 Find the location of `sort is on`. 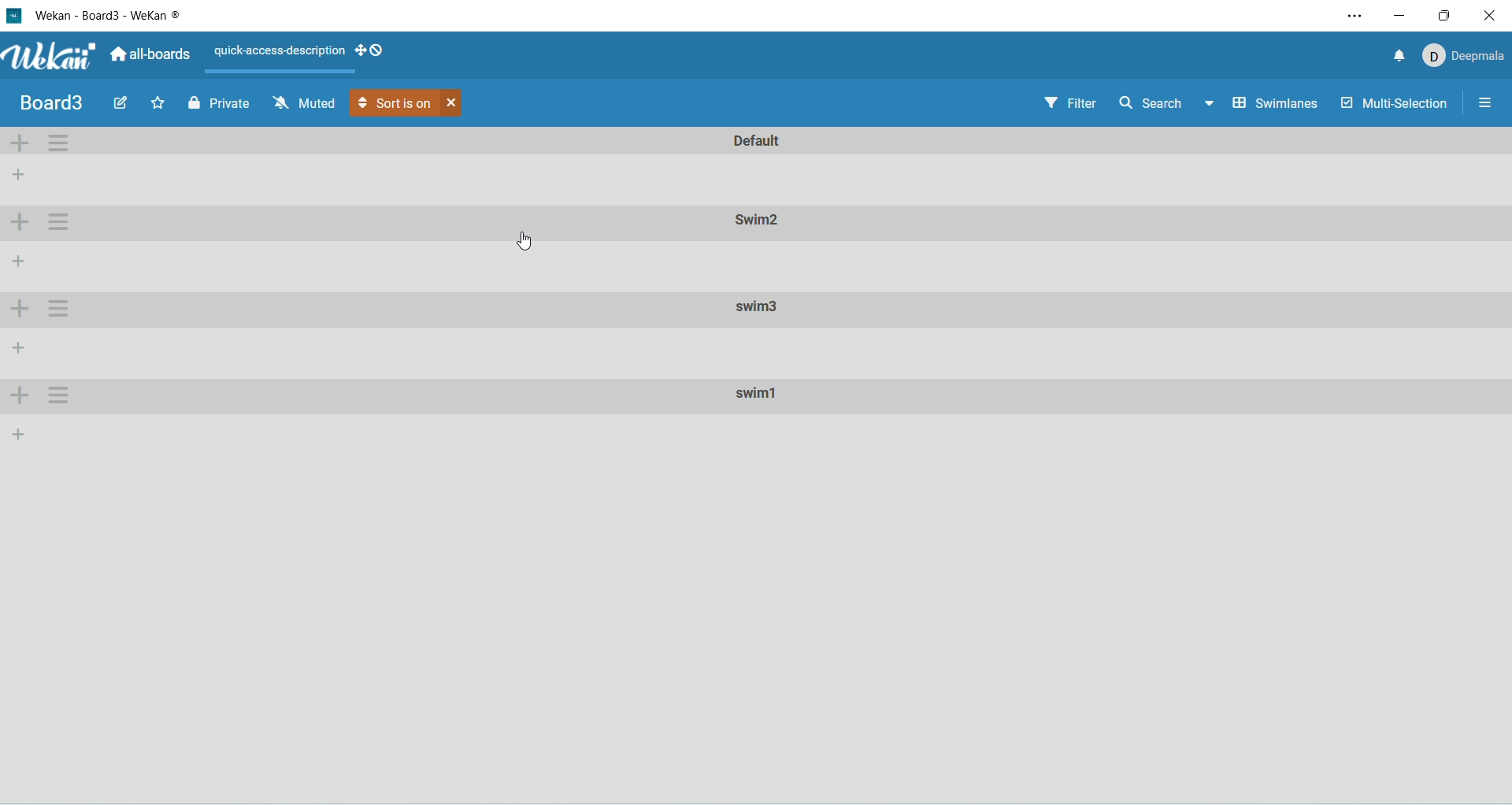

sort is on is located at coordinates (395, 103).